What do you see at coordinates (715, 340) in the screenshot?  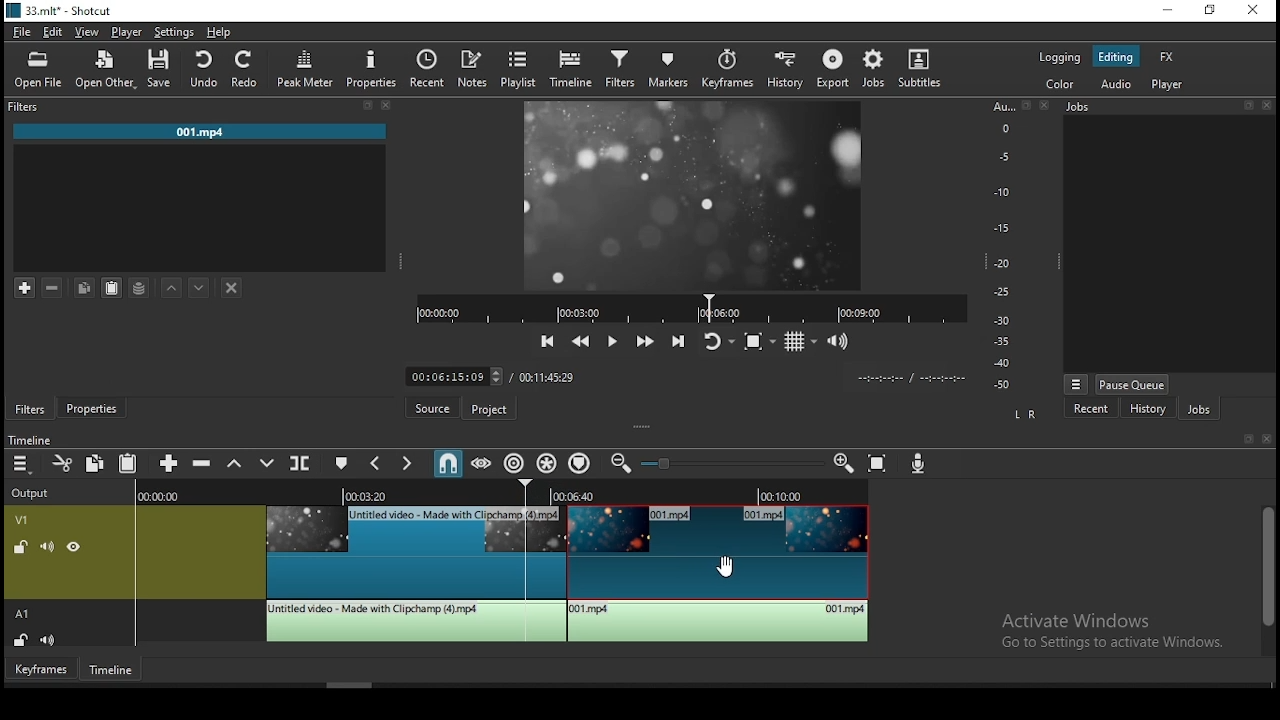 I see `toggle player looping` at bounding box center [715, 340].